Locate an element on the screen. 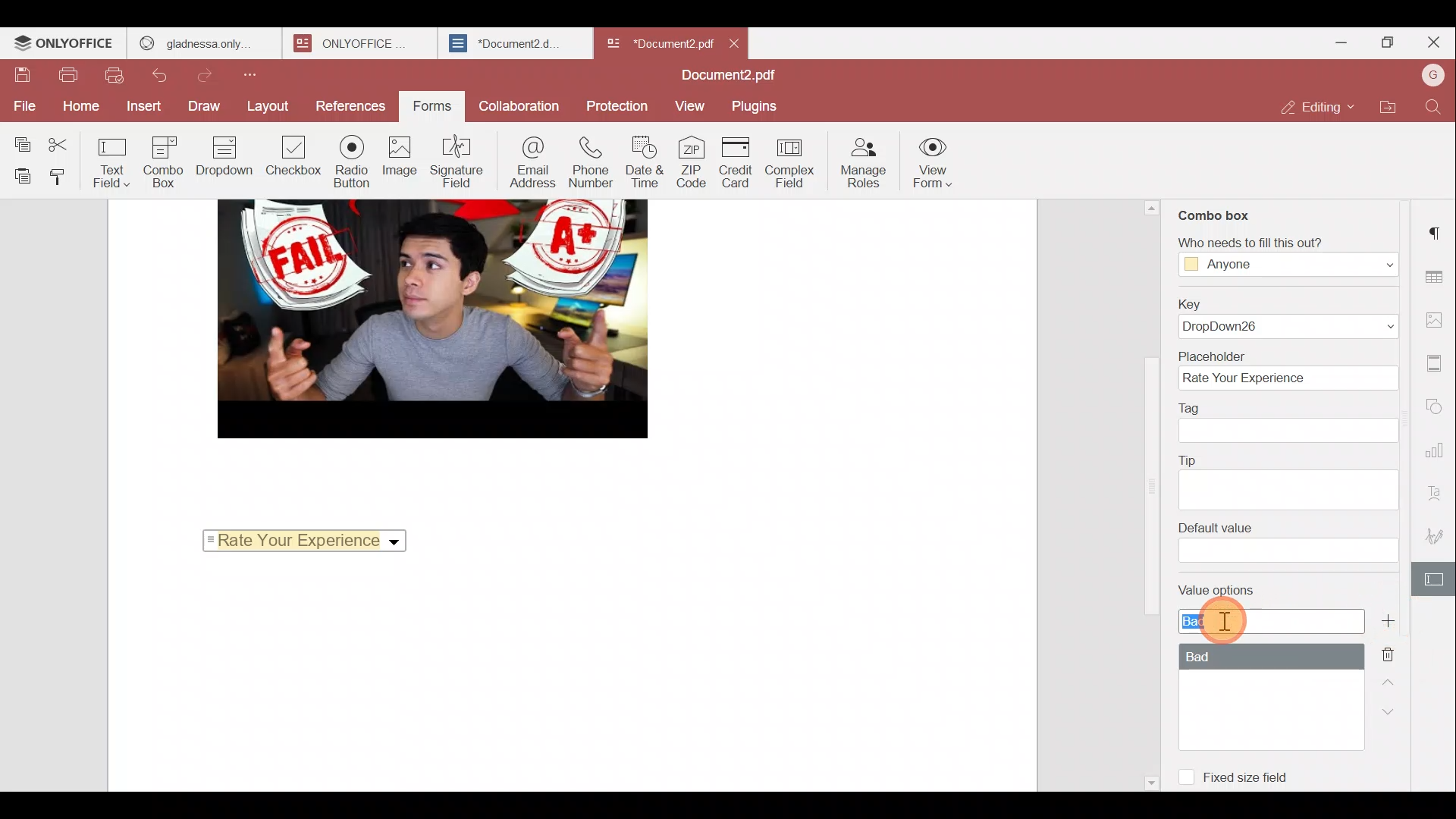 The image size is (1456, 819). Plugins is located at coordinates (757, 106).